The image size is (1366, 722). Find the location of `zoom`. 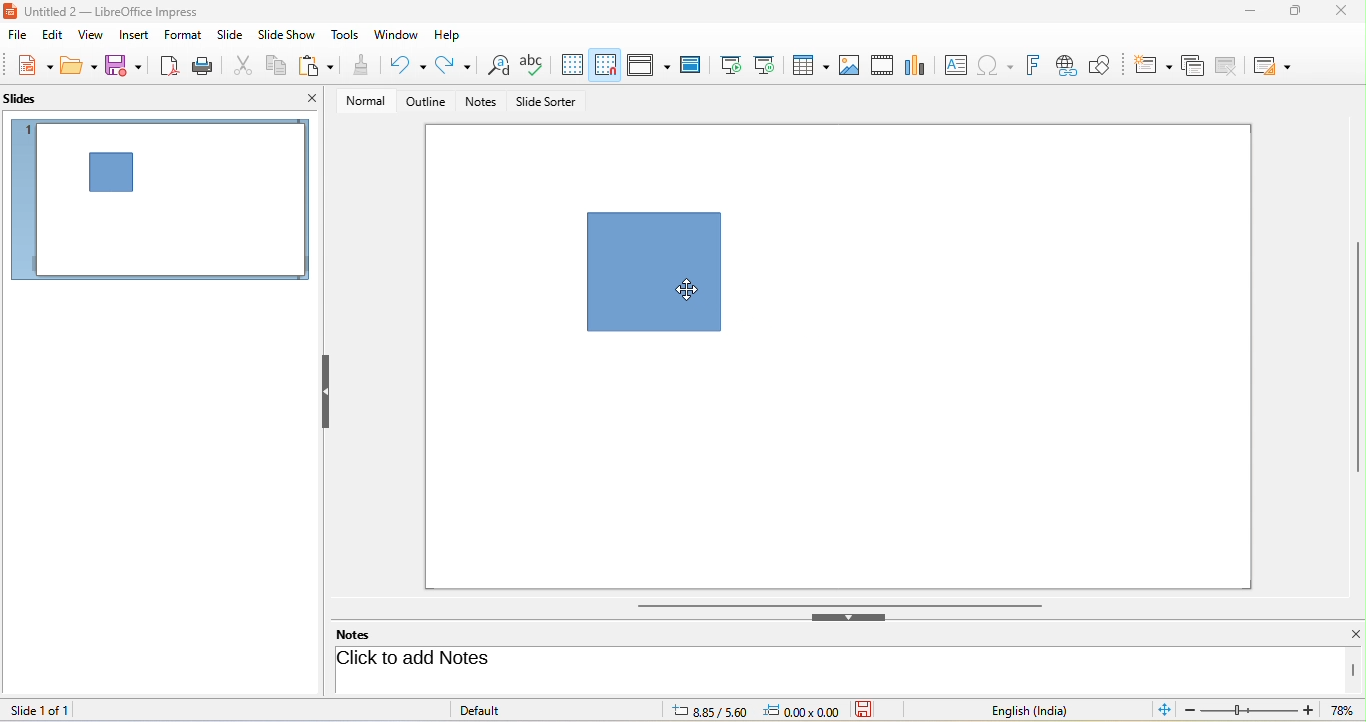

zoom is located at coordinates (1273, 712).